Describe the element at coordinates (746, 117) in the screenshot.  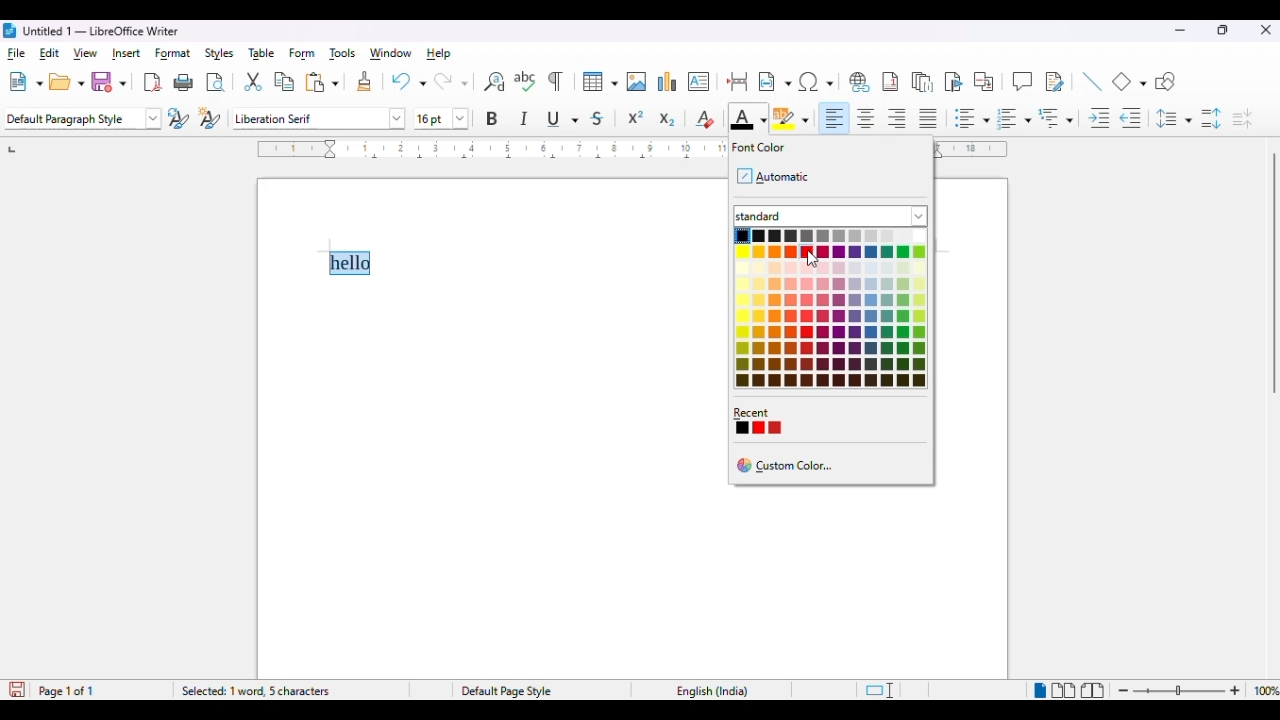
I see `font color` at that location.